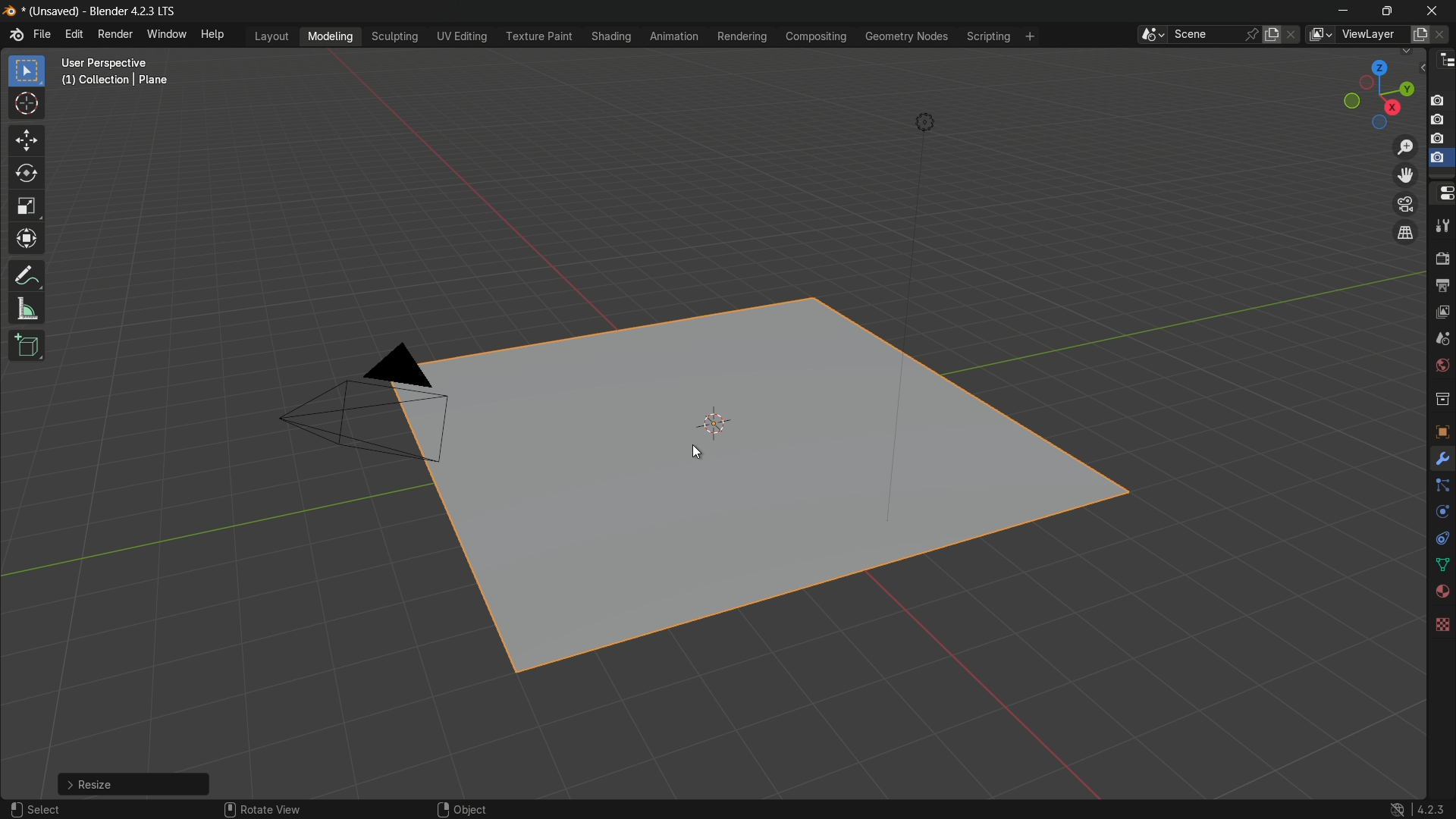  I want to click on resize, so click(134, 785).